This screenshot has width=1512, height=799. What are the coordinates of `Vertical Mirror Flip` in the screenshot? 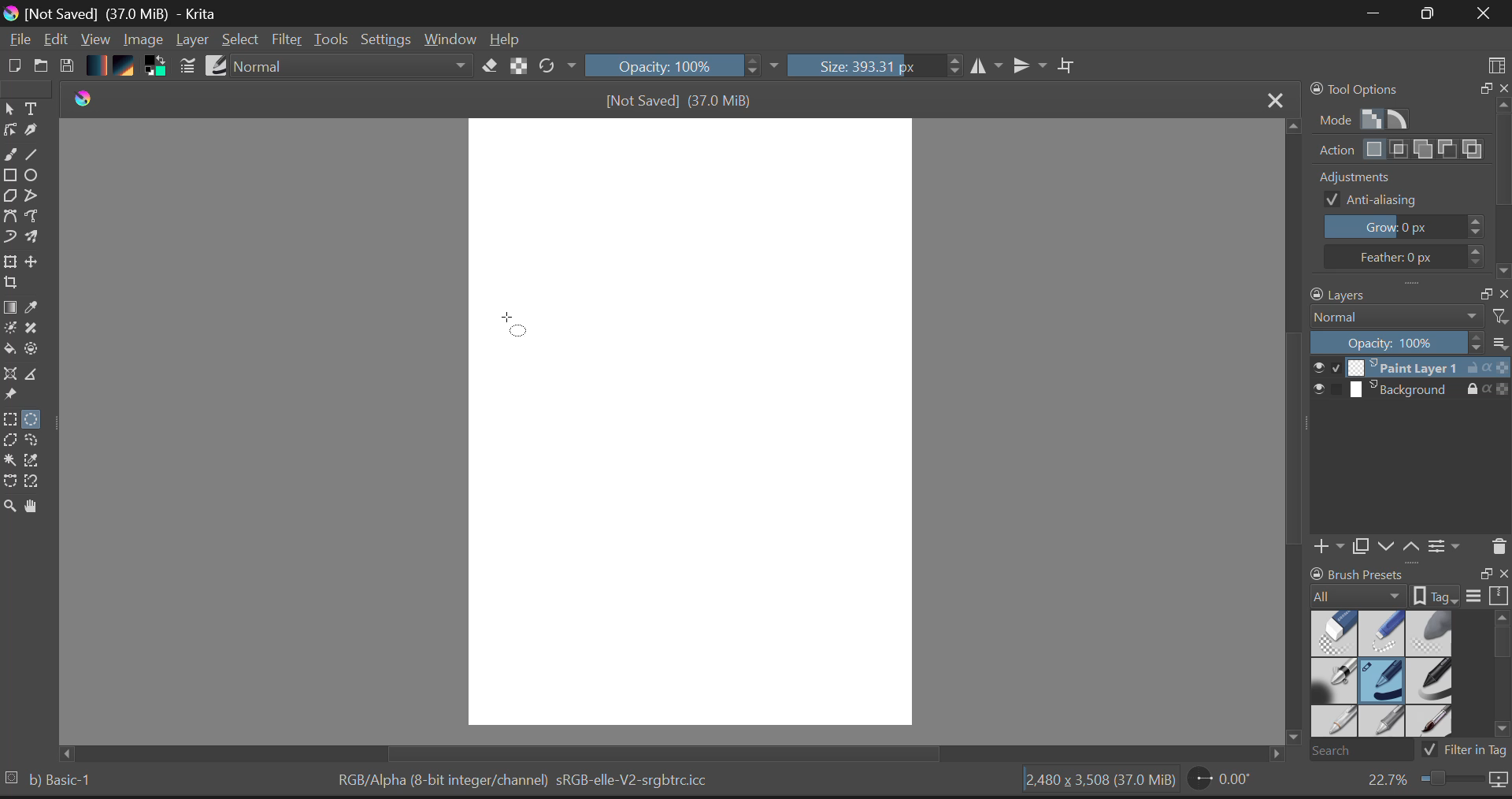 It's located at (988, 67).